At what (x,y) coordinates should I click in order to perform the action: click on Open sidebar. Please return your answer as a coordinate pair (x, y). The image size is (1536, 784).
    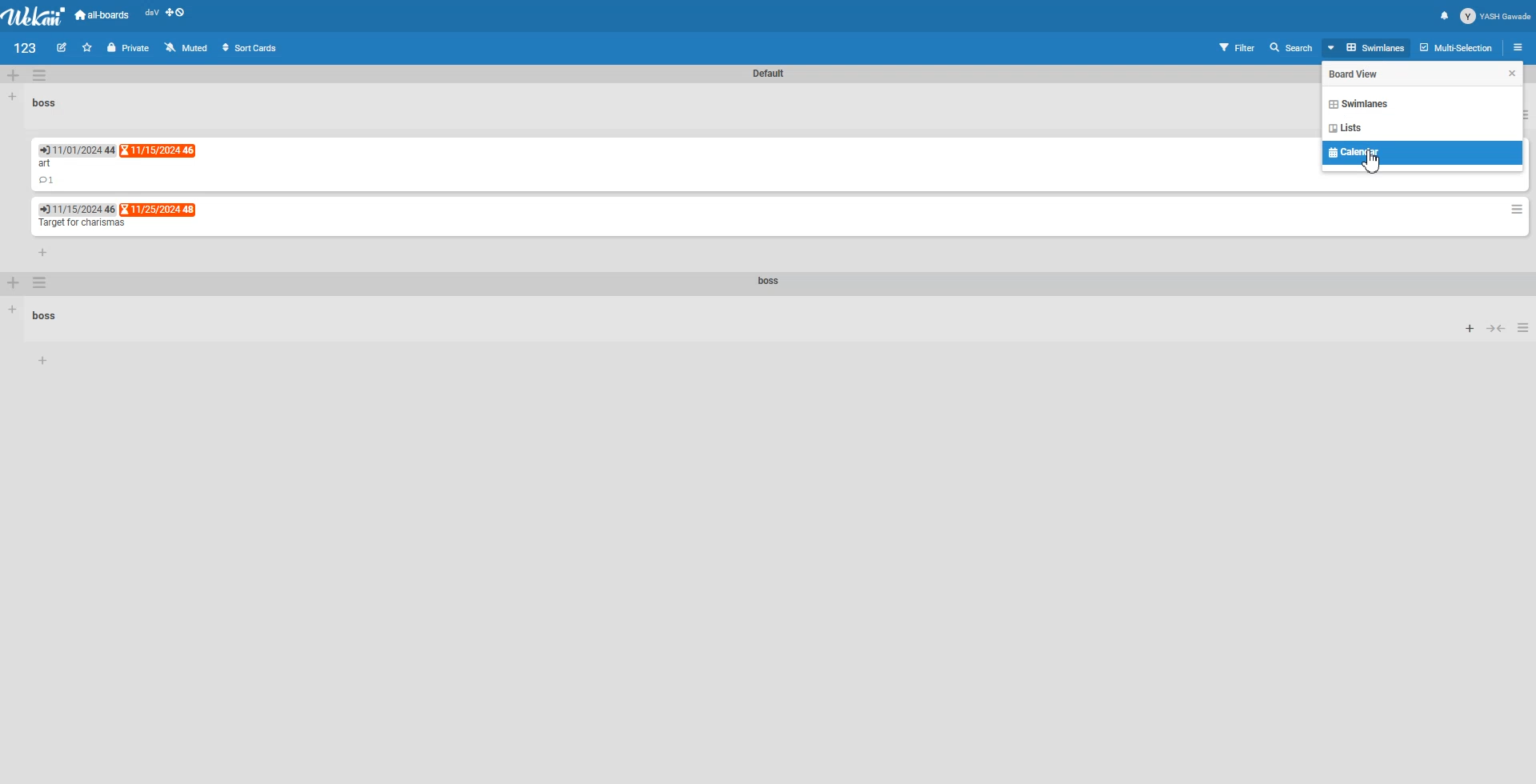
    Looking at the image, I should click on (1520, 46).